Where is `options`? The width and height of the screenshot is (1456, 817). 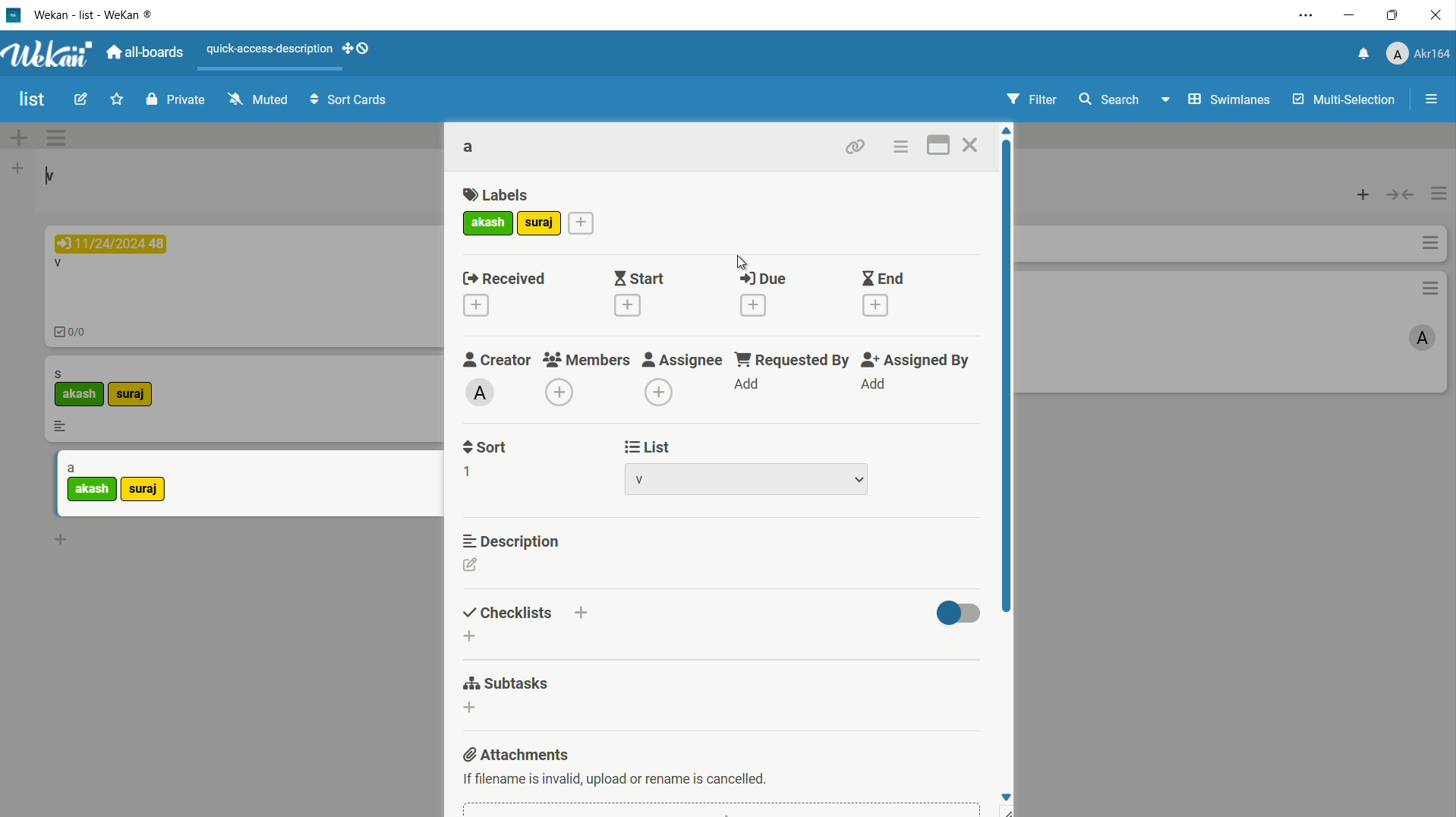 options is located at coordinates (55, 138).